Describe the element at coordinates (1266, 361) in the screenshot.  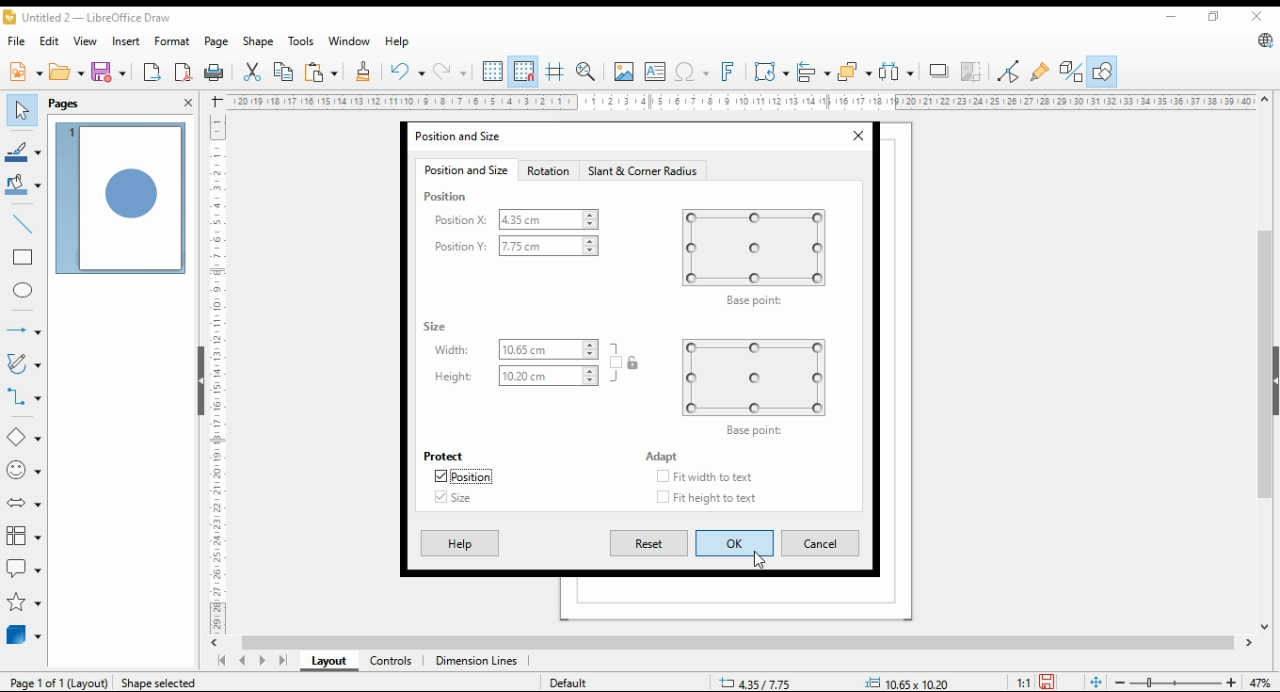
I see `scroll bar` at that location.